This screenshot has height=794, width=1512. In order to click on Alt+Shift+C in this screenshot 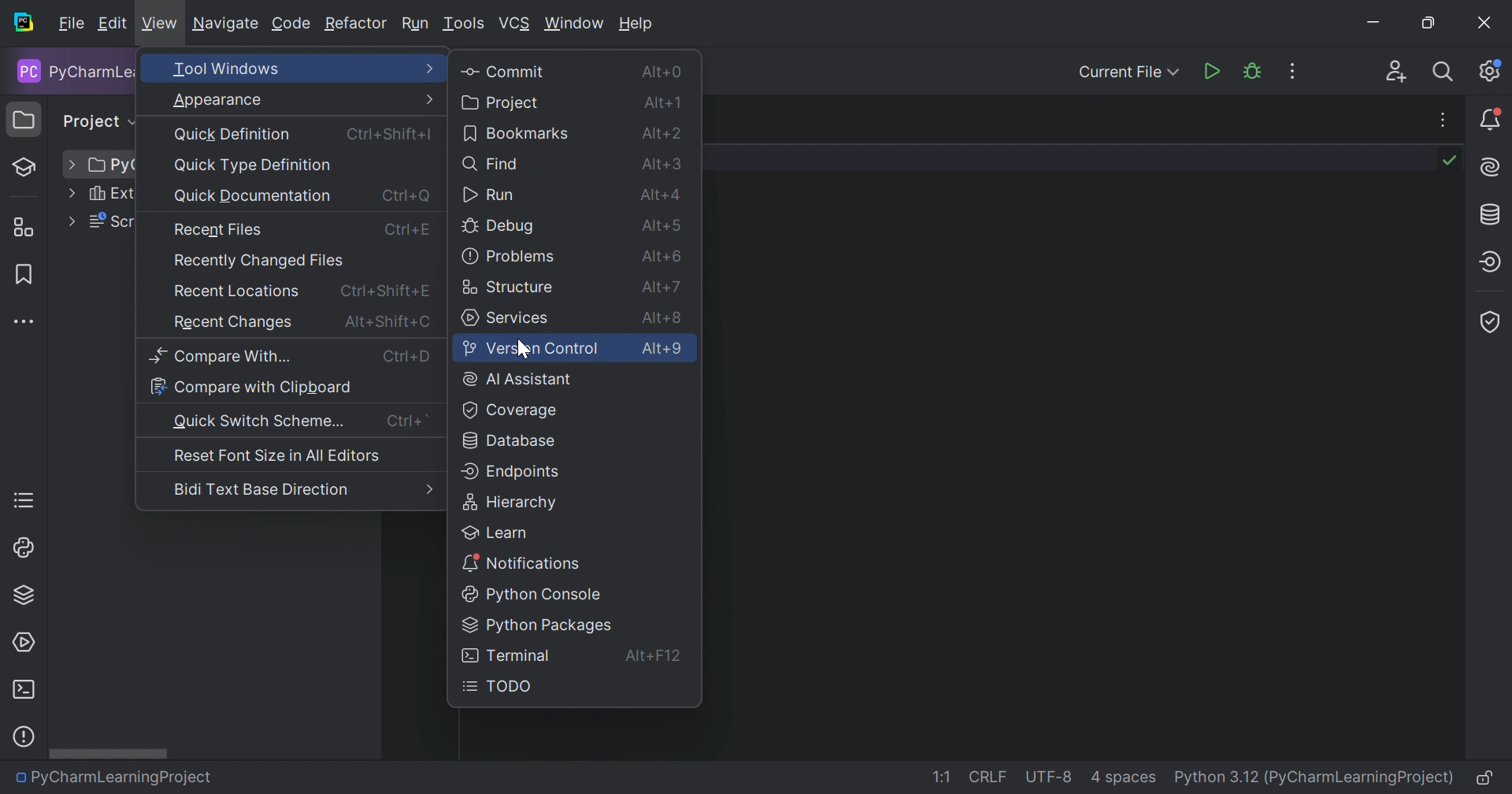, I will do `click(387, 322)`.